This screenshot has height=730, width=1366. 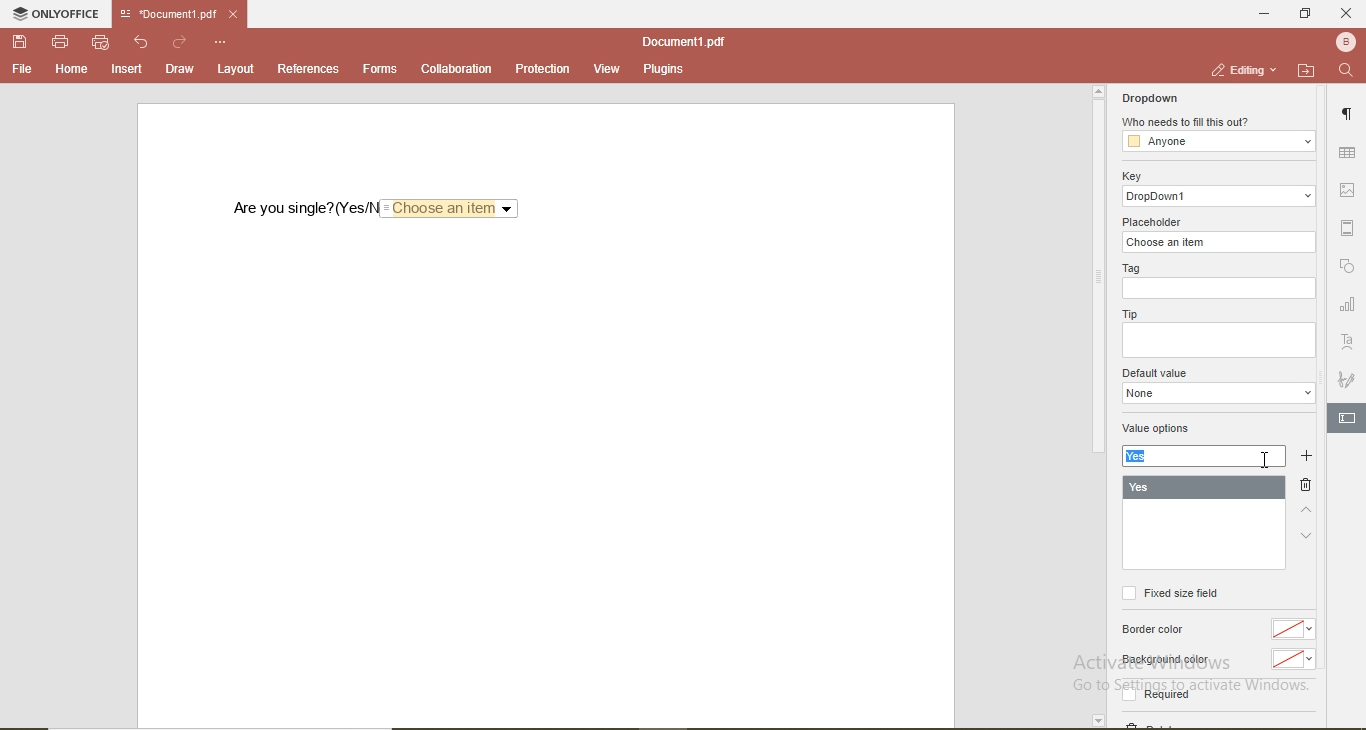 I want to click on open file location, so click(x=1307, y=71).